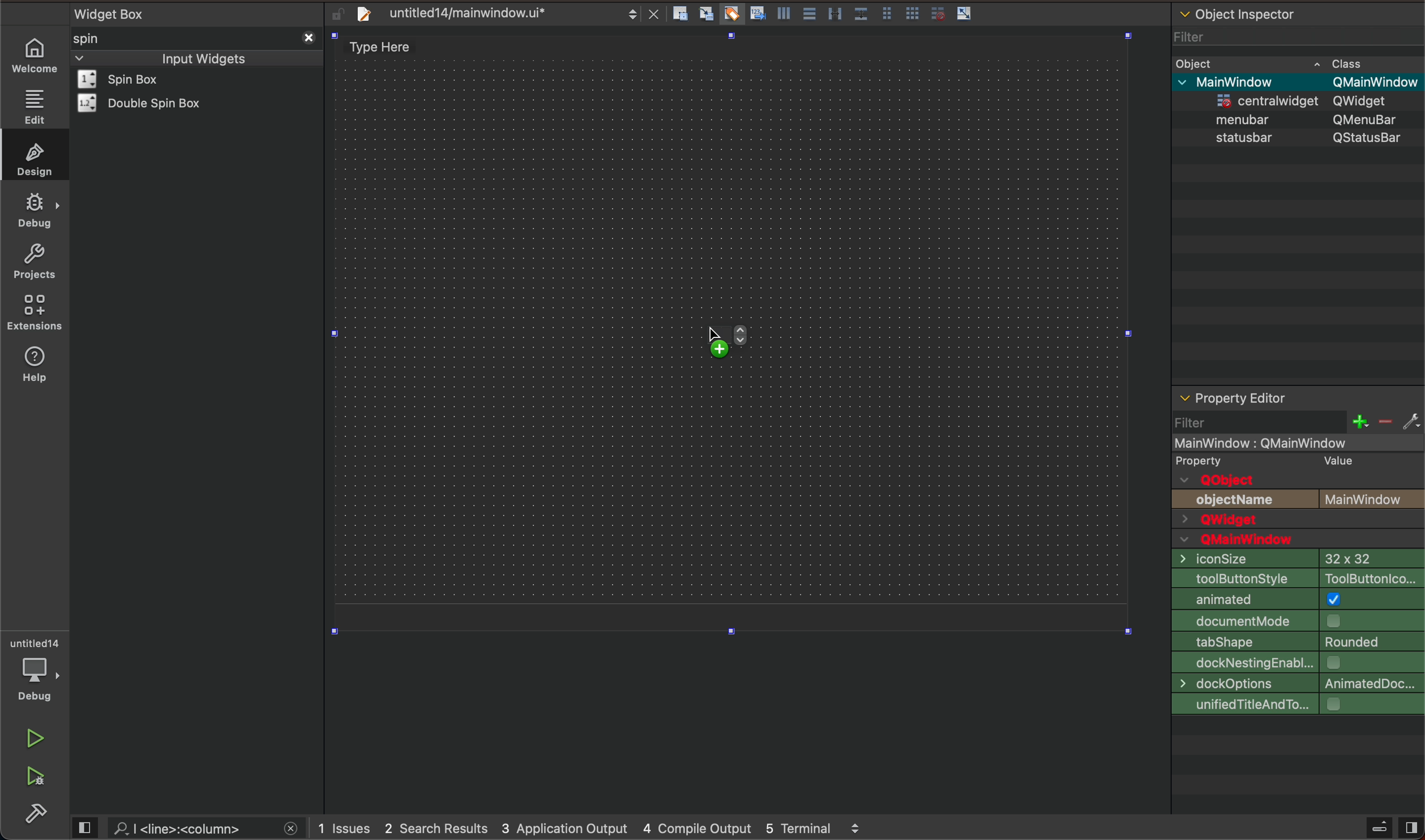  What do you see at coordinates (40, 371) in the screenshot?
I see `help` at bounding box center [40, 371].